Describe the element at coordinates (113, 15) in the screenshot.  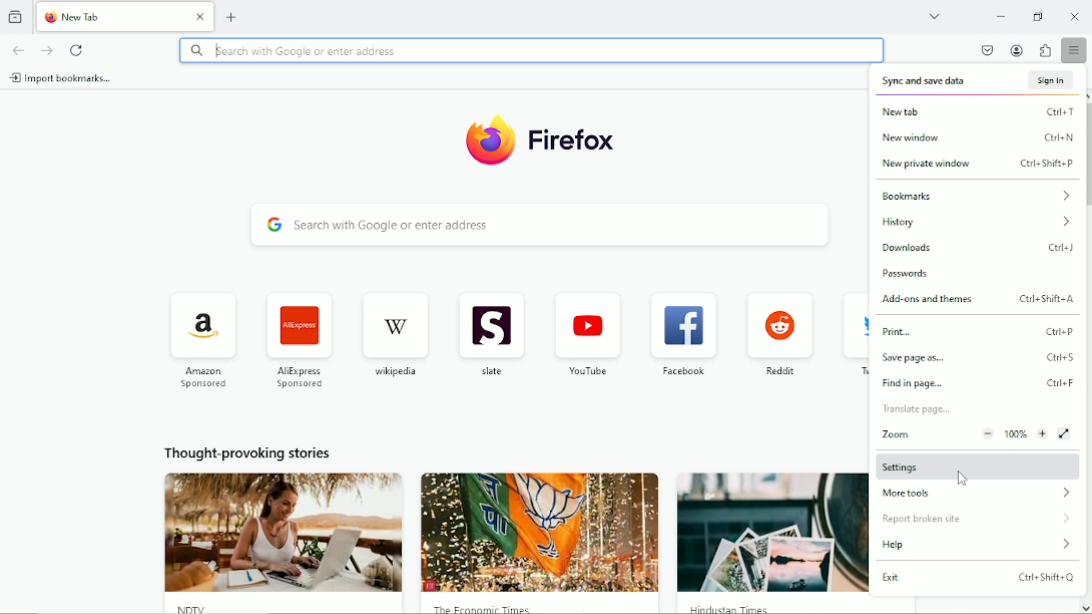
I see `New Tab` at that location.